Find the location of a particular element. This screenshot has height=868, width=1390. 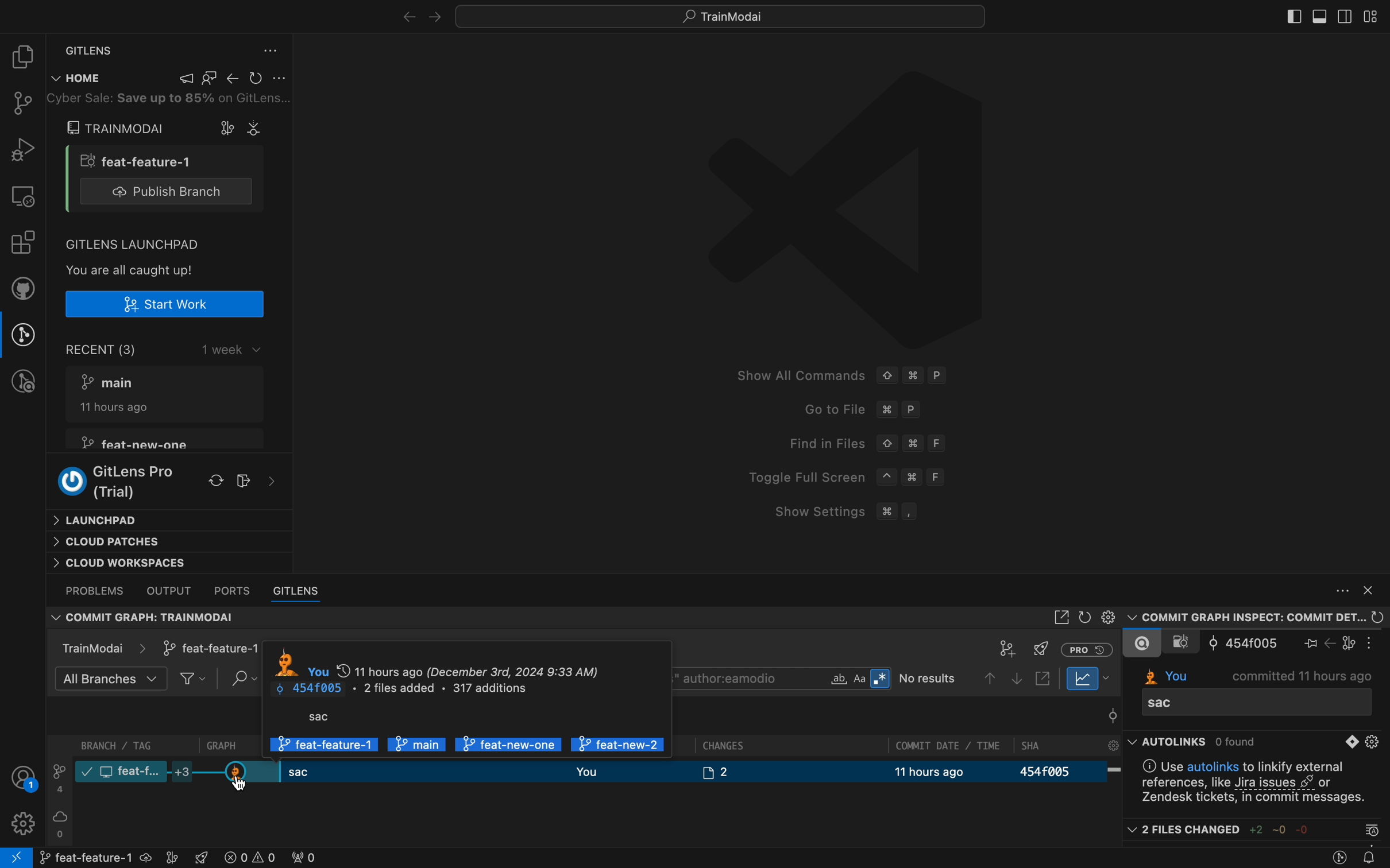

git pannel is located at coordinates (20, 103).